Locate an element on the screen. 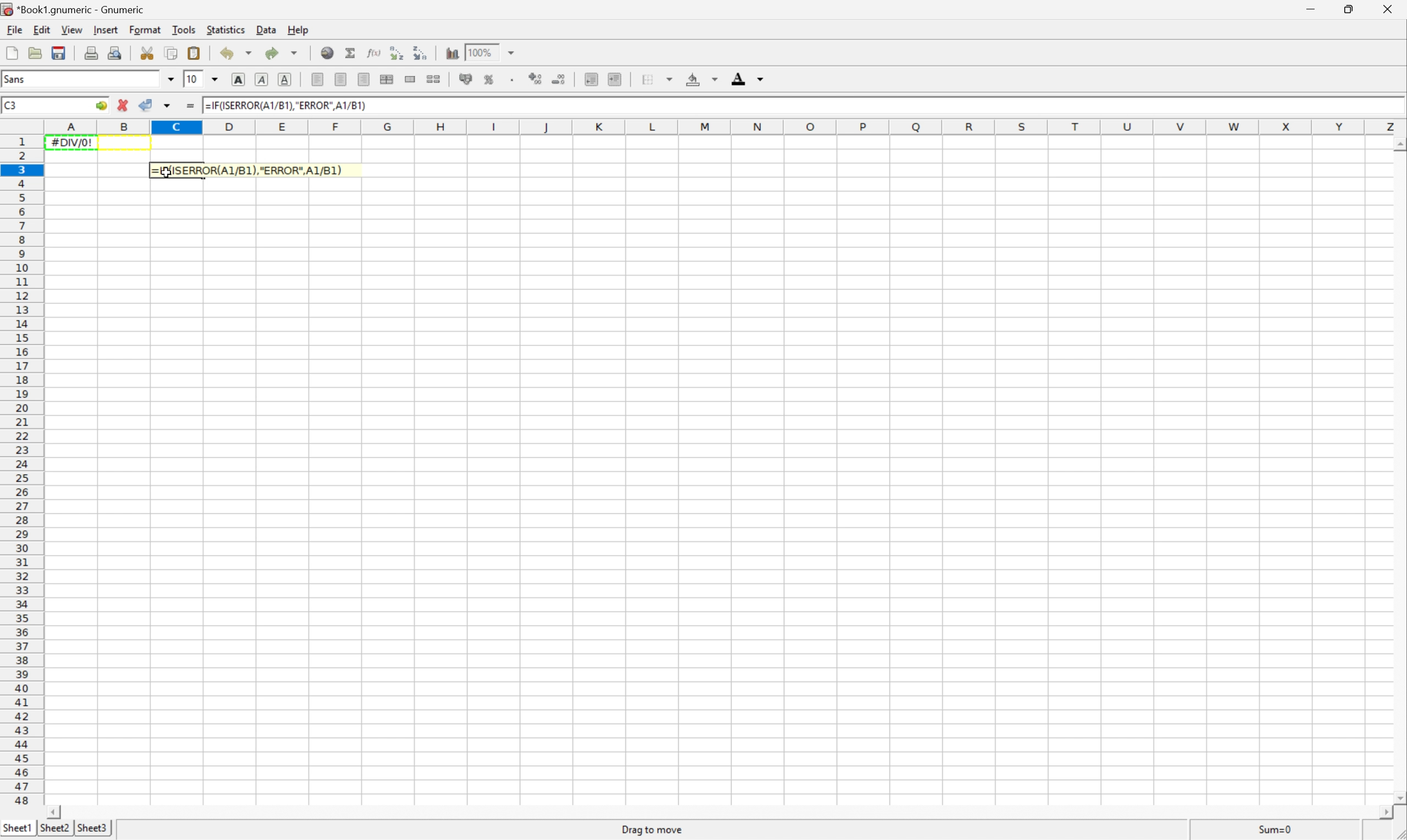 This screenshot has height=840, width=1407. #DIV/0! is located at coordinates (73, 142).